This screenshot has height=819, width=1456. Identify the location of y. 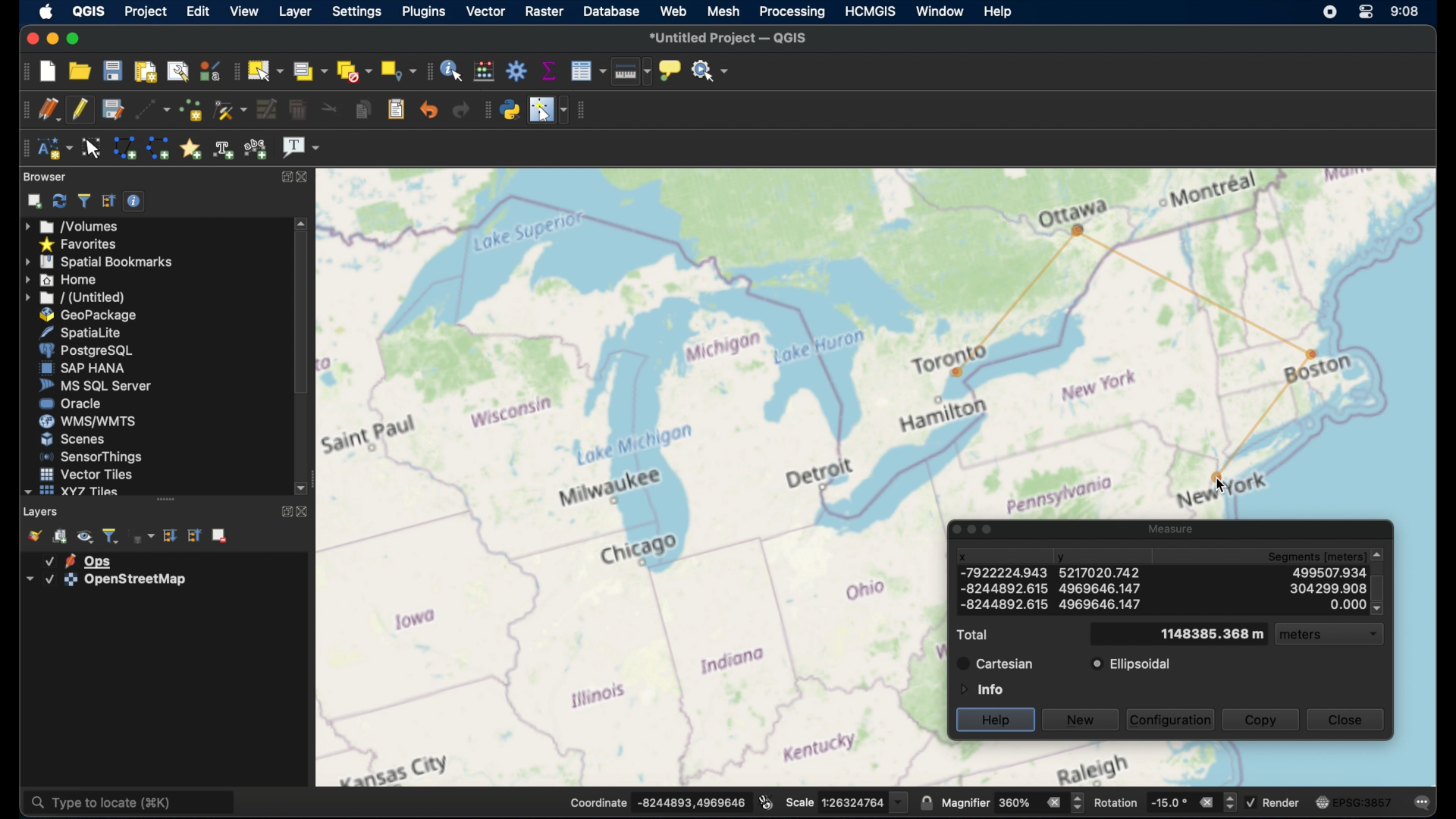
(1103, 588).